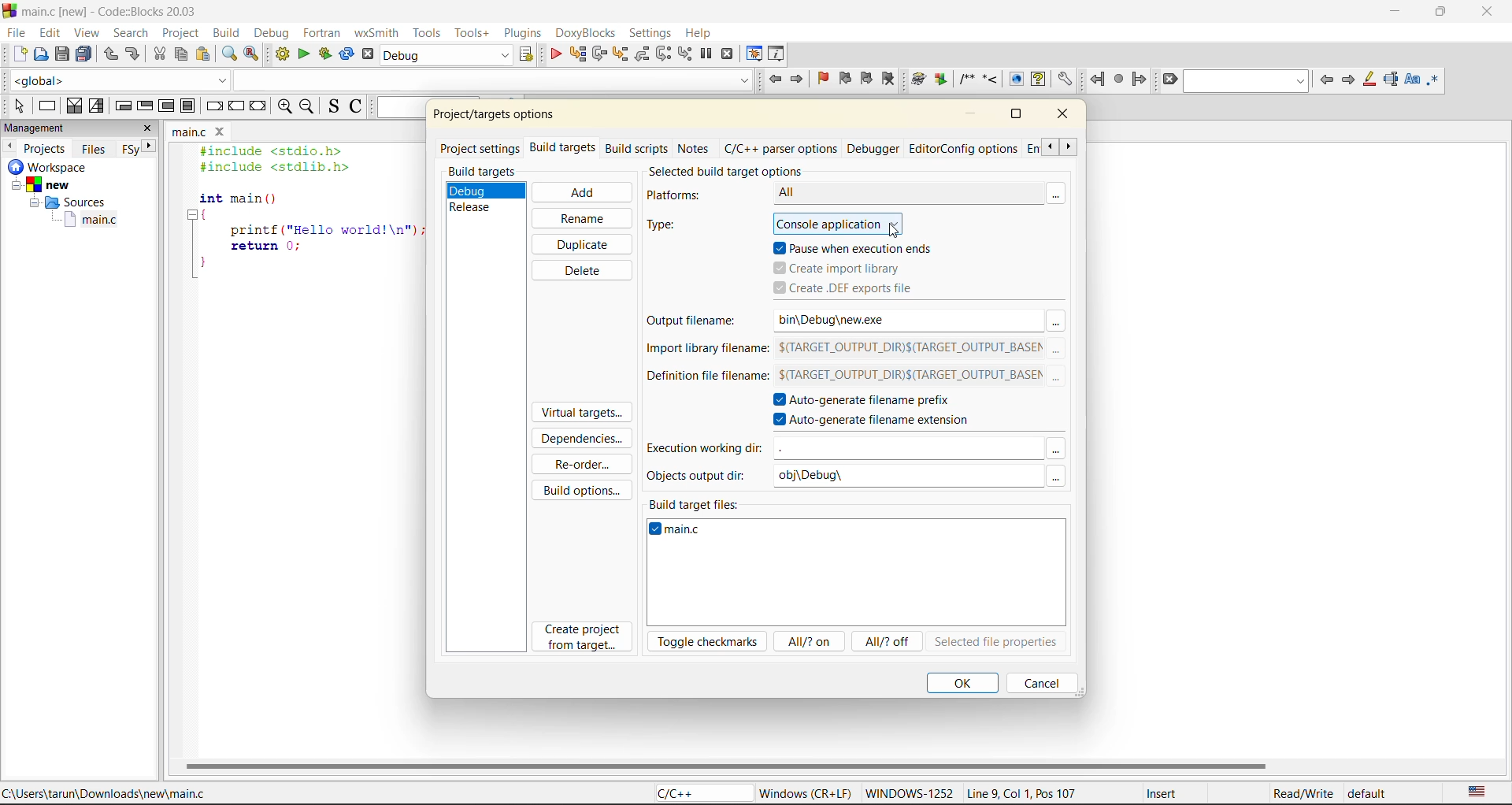 The height and width of the screenshot is (805, 1512). What do you see at coordinates (1301, 792) in the screenshot?
I see `Read/Write` at bounding box center [1301, 792].